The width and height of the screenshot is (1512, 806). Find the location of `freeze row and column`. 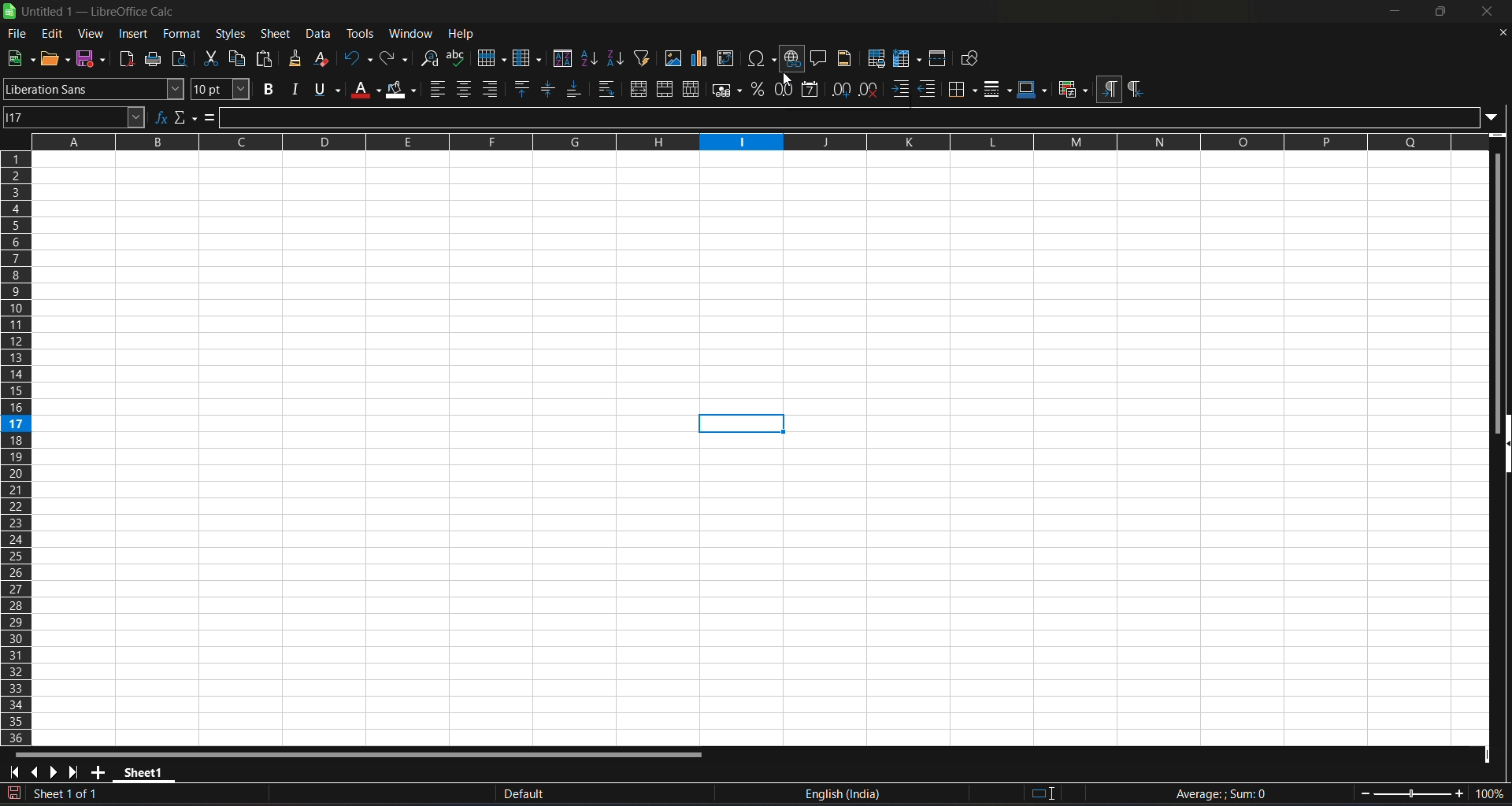

freeze row and column is located at coordinates (907, 57).